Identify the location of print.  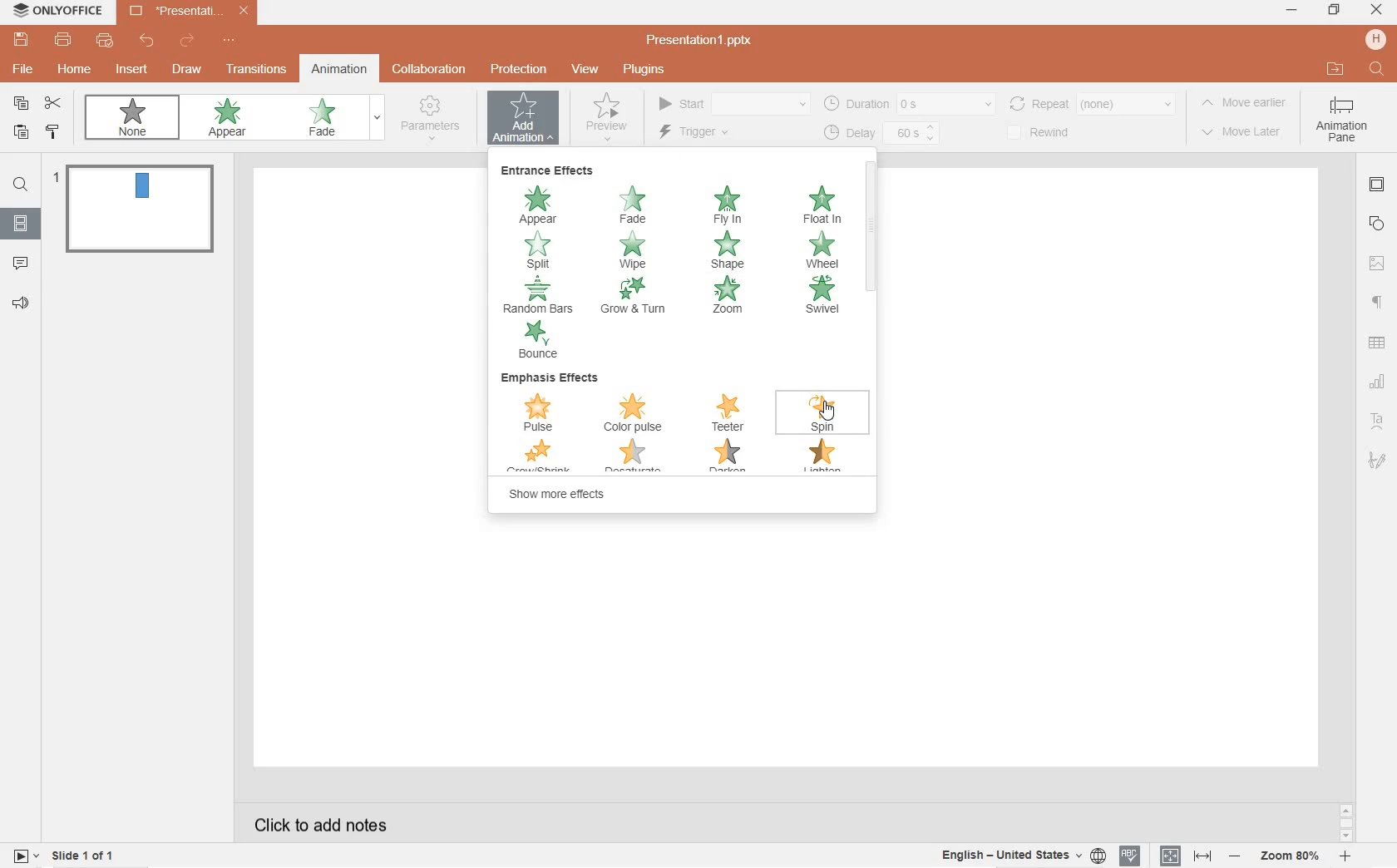
(64, 40).